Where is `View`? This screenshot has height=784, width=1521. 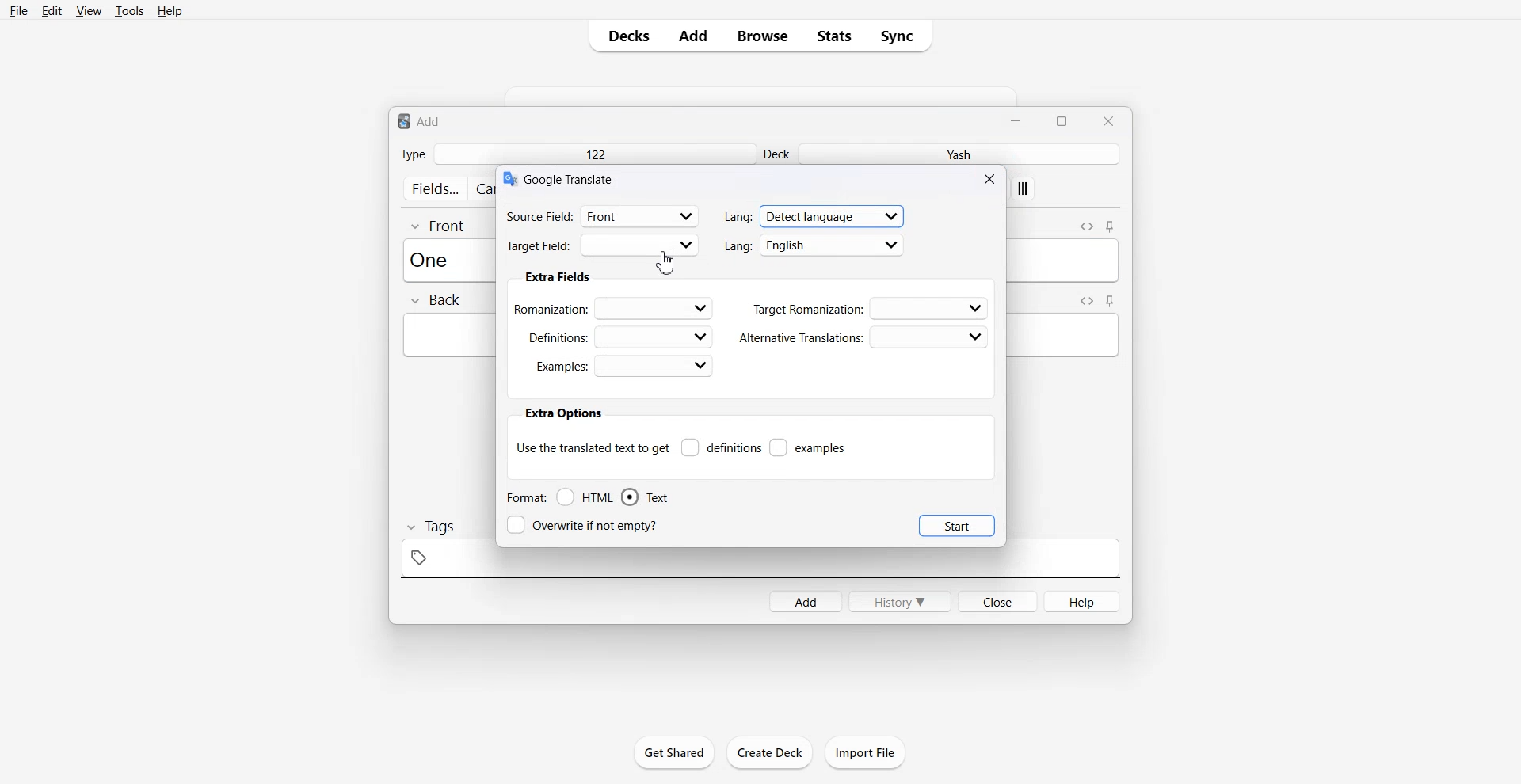 View is located at coordinates (87, 10).